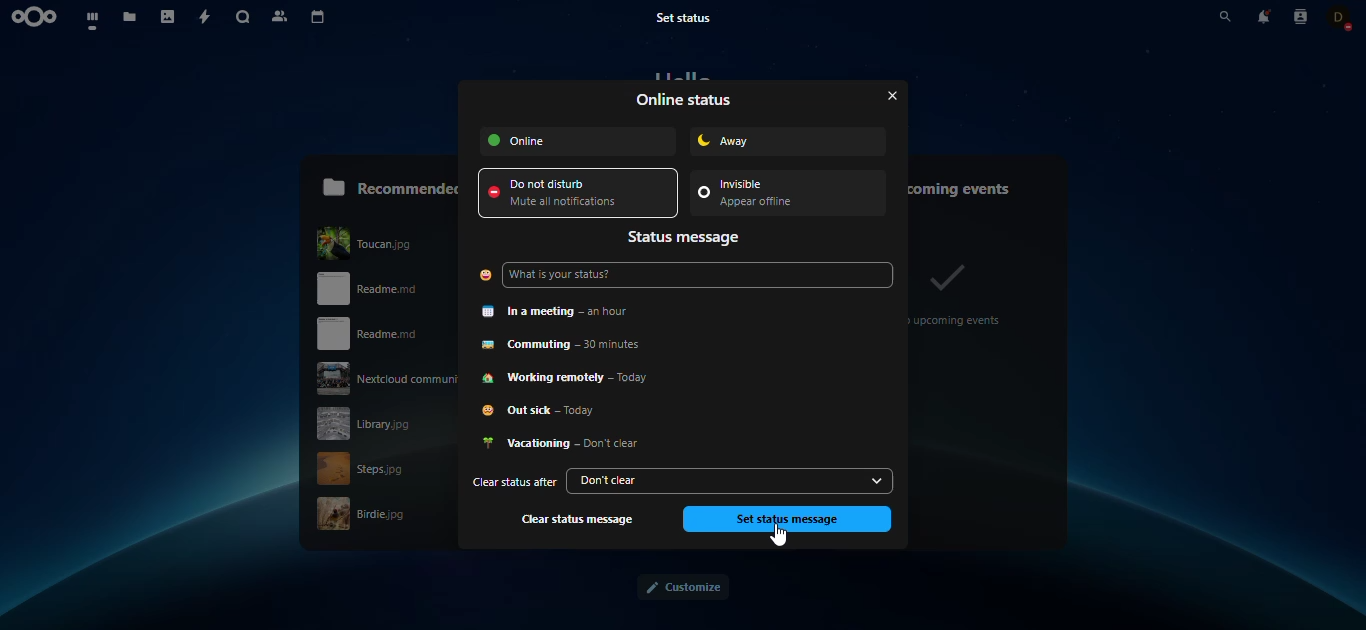  What do you see at coordinates (381, 378) in the screenshot?
I see `nextcloud community` at bounding box center [381, 378].